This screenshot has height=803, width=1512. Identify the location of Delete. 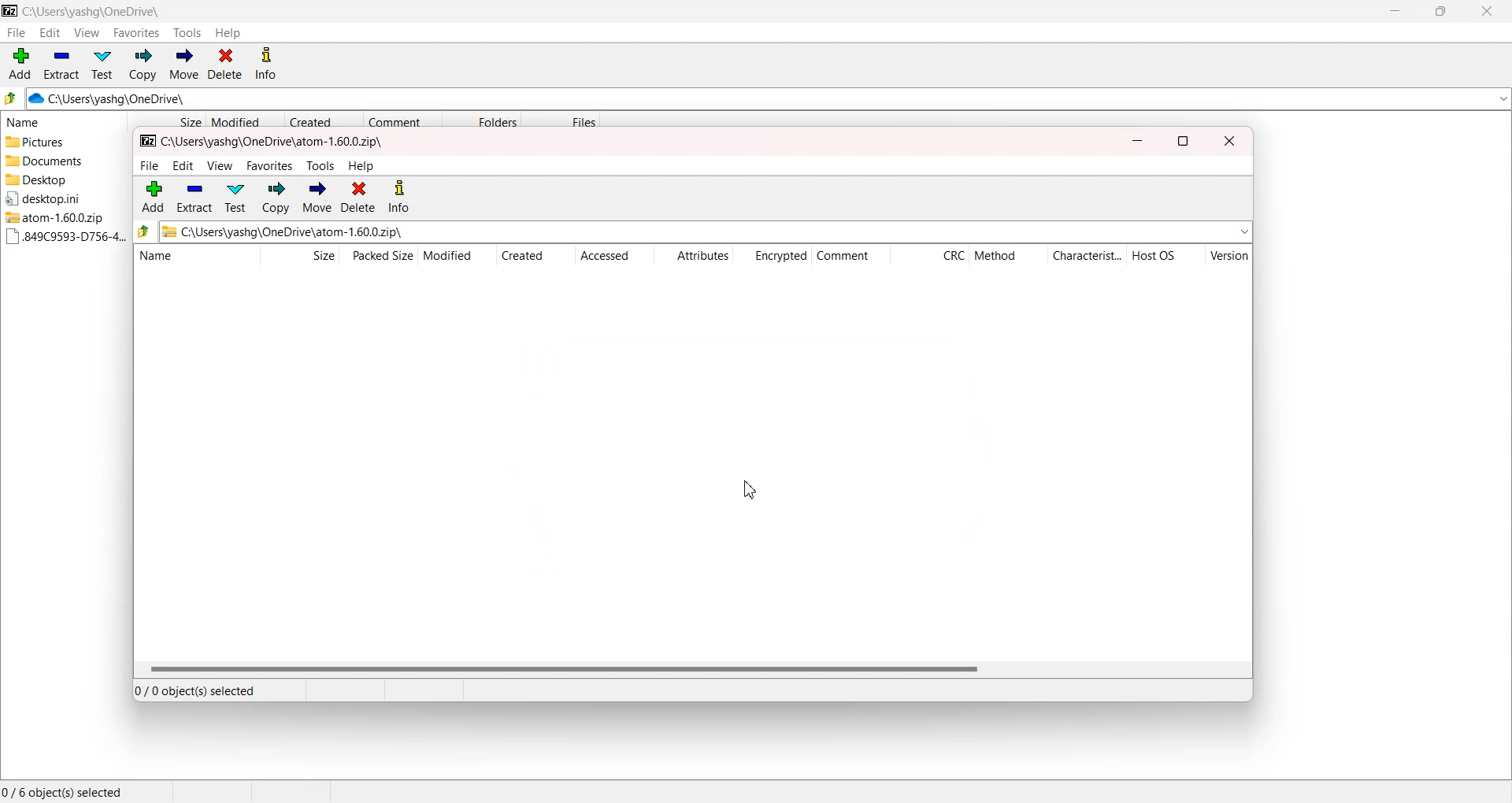
(225, 65).